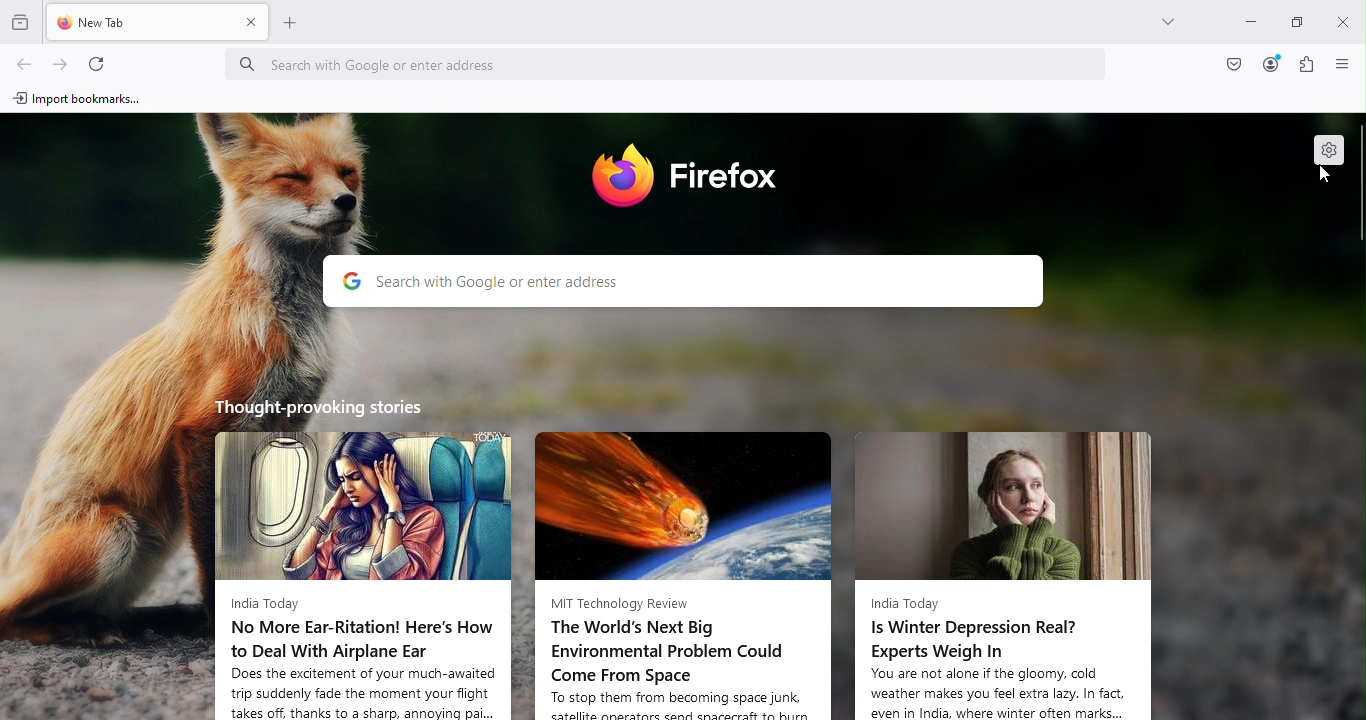 Image resolution: width=1366 pixels, height=720 pixels. I want to click on Save to pocket, so click(1230, 66).